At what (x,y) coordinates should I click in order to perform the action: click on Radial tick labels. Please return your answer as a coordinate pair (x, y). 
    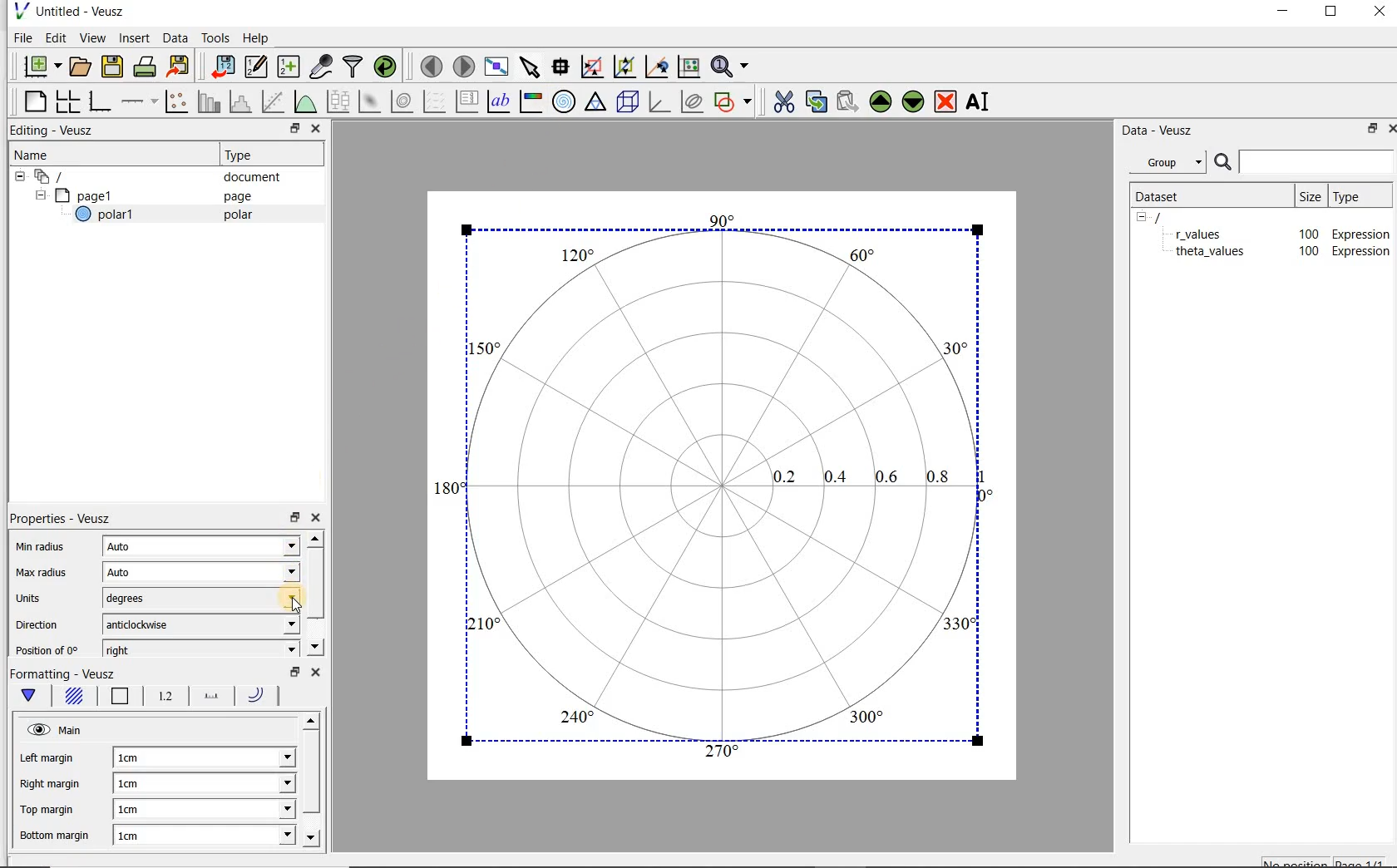
    Looking at the image, I should click on (166, 698).